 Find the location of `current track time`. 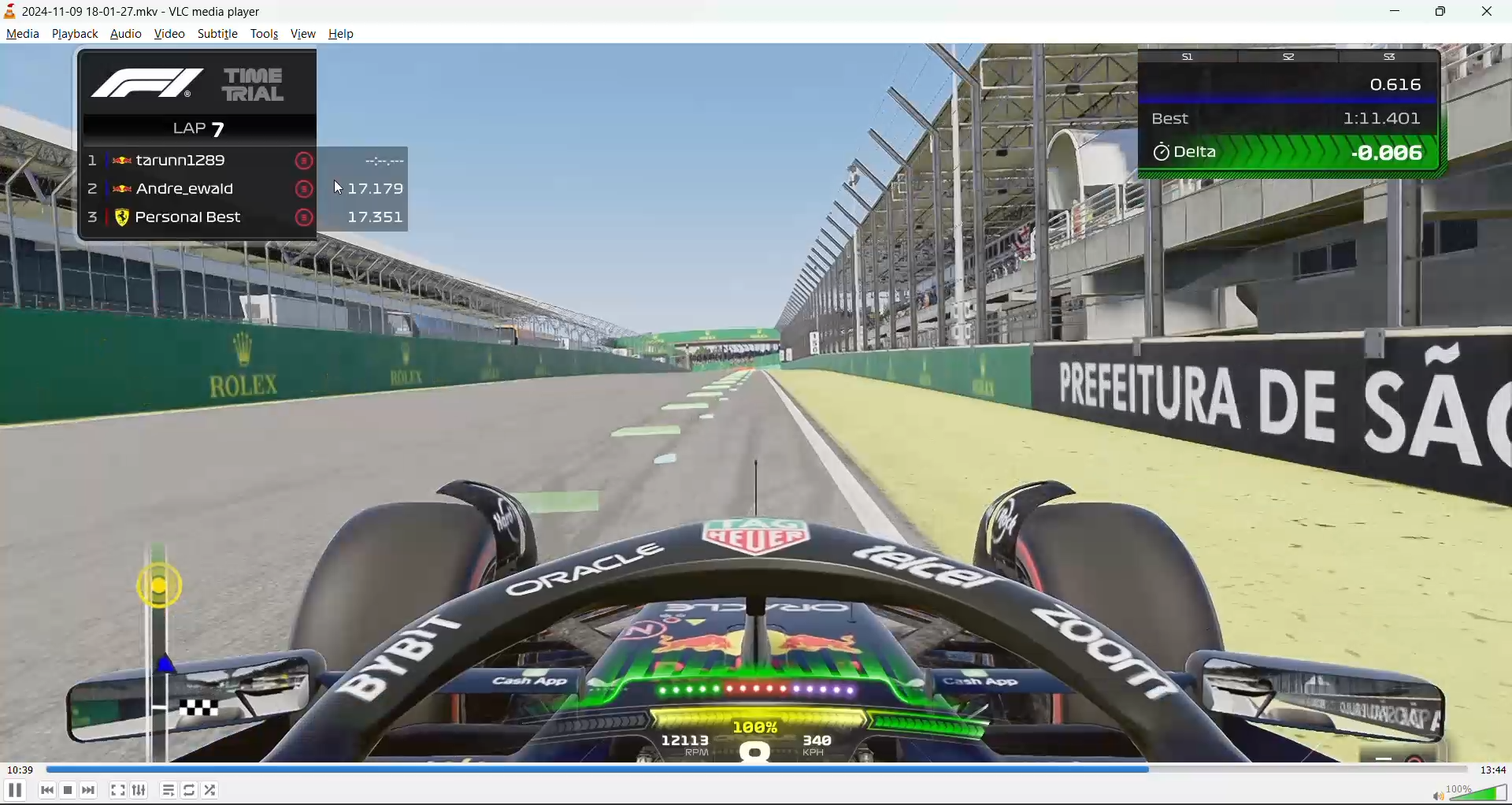

current track time is located at coordinates (20, 768).